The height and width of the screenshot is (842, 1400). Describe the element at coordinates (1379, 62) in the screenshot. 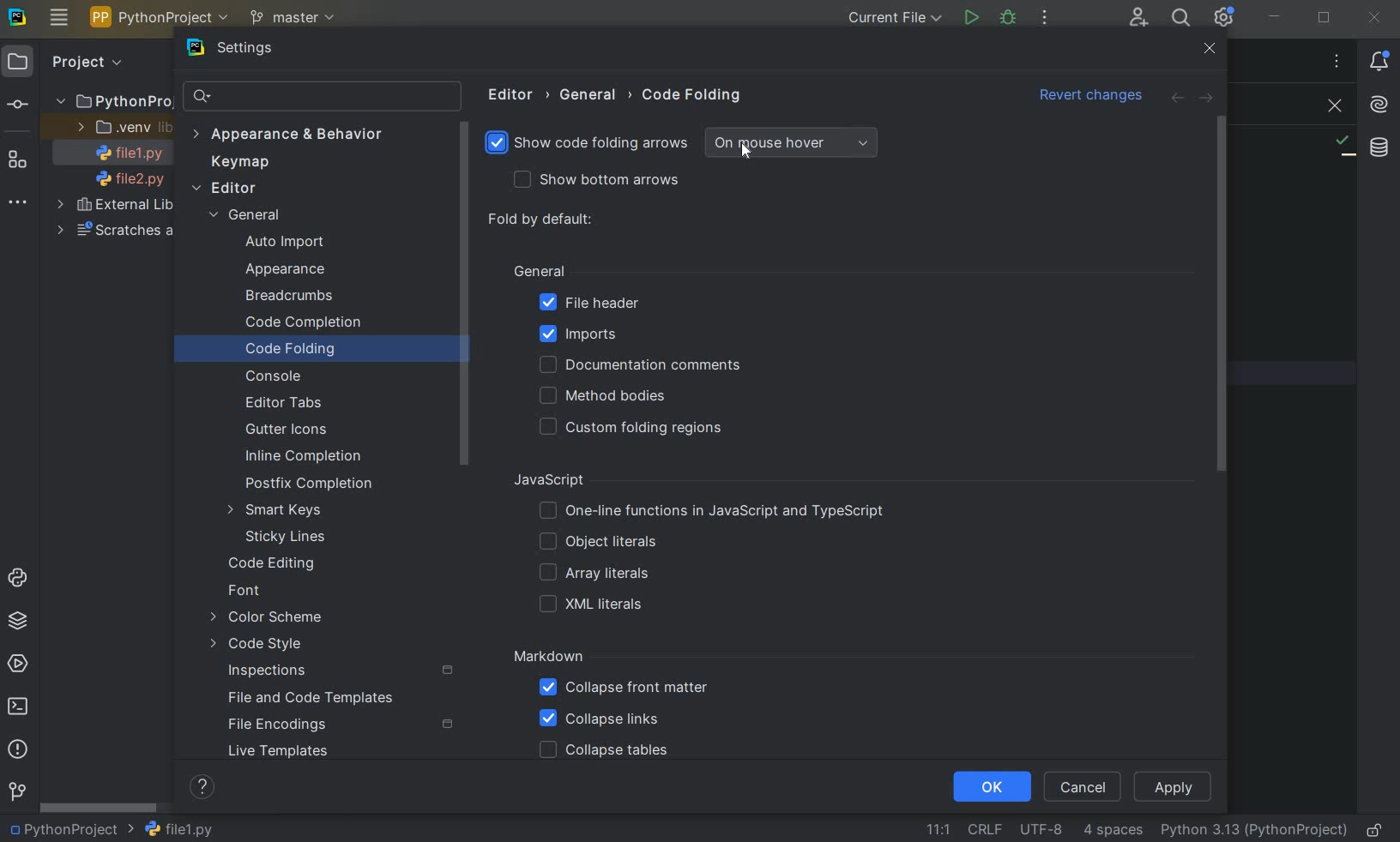

I see `NOTIFICATIONS` at that location.